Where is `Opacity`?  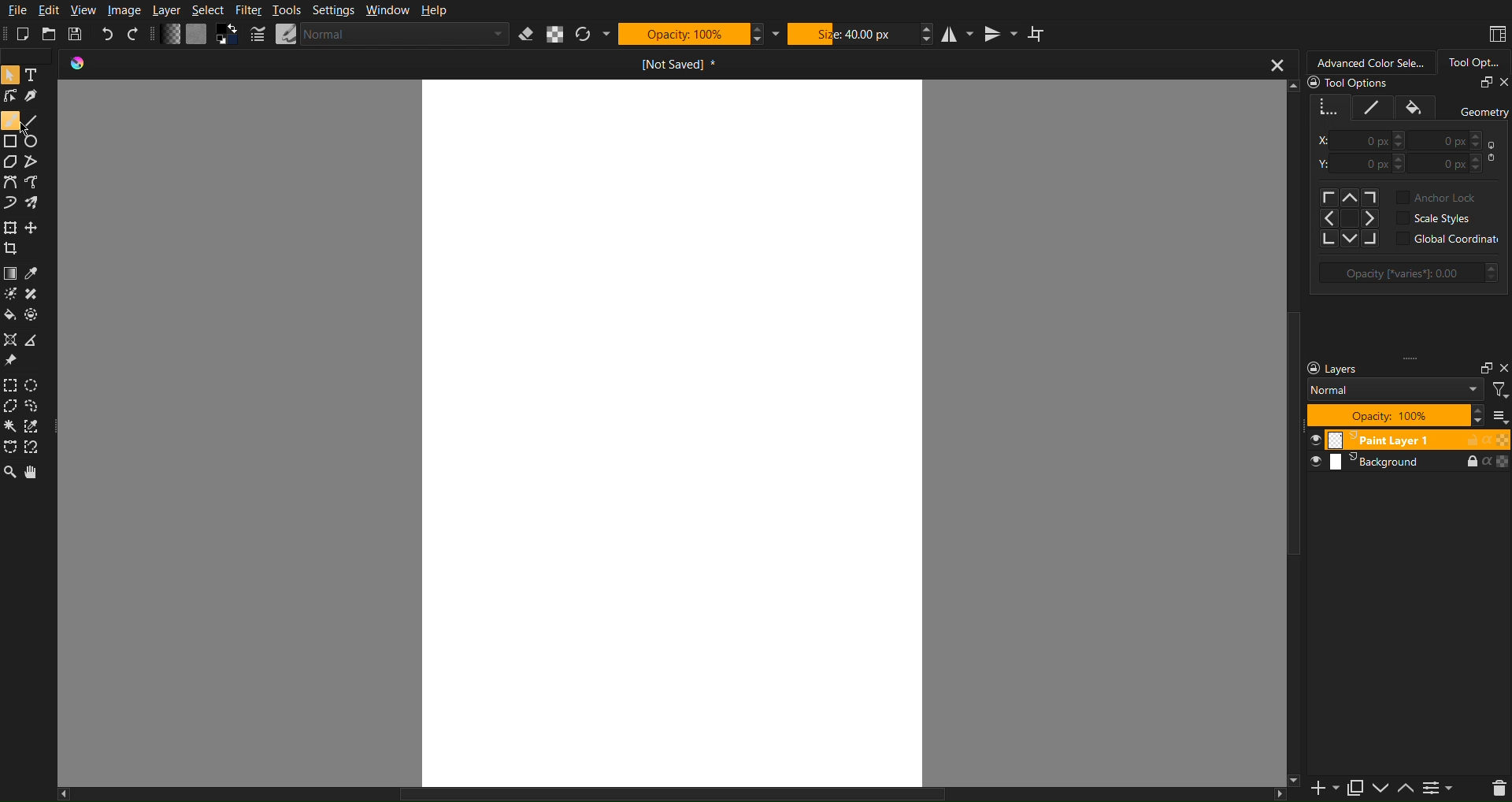
Opacity is located at coordinates (1389, 414).